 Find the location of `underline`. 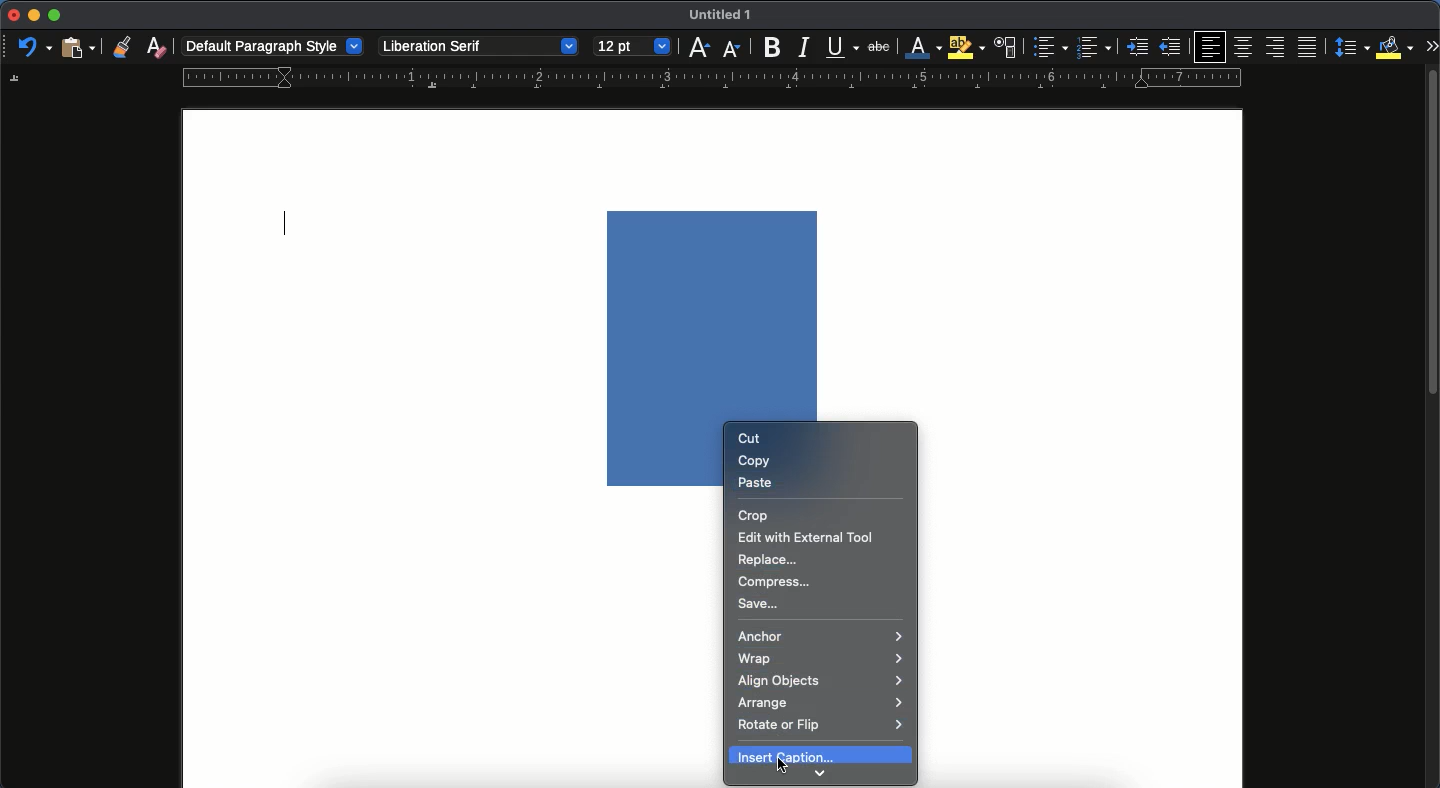

underline is located at coordinates (842, 47).